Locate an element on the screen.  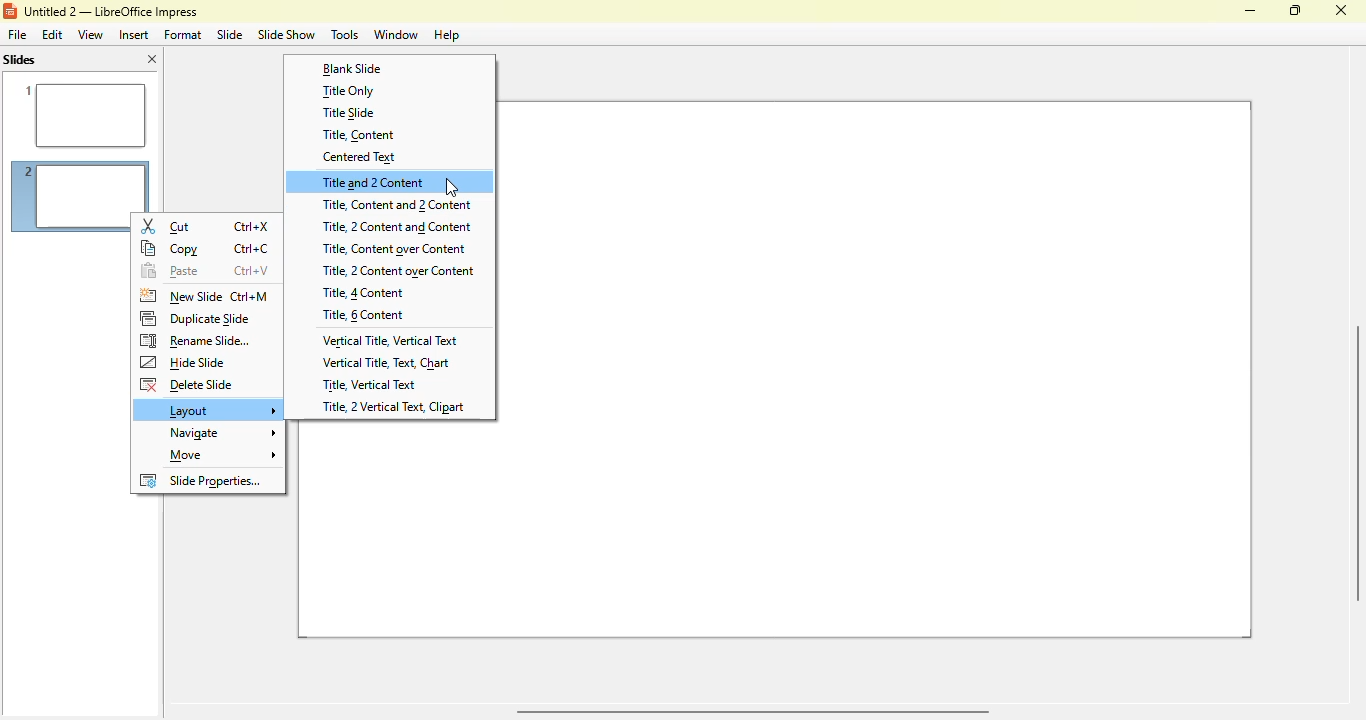
vertical title, vertical text is located at coordinates (388, 340).